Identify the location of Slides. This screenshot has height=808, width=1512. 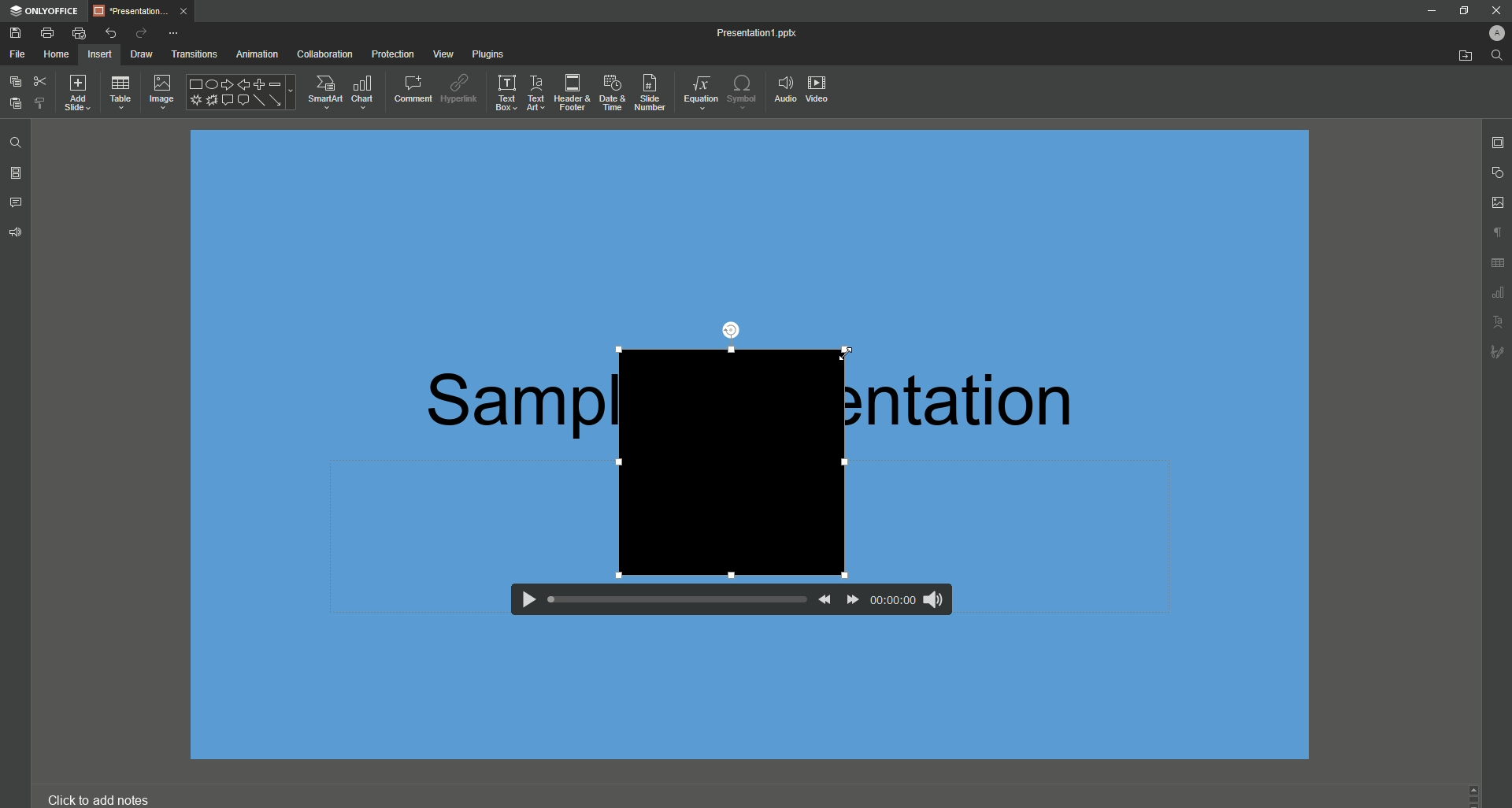
(16, 175).